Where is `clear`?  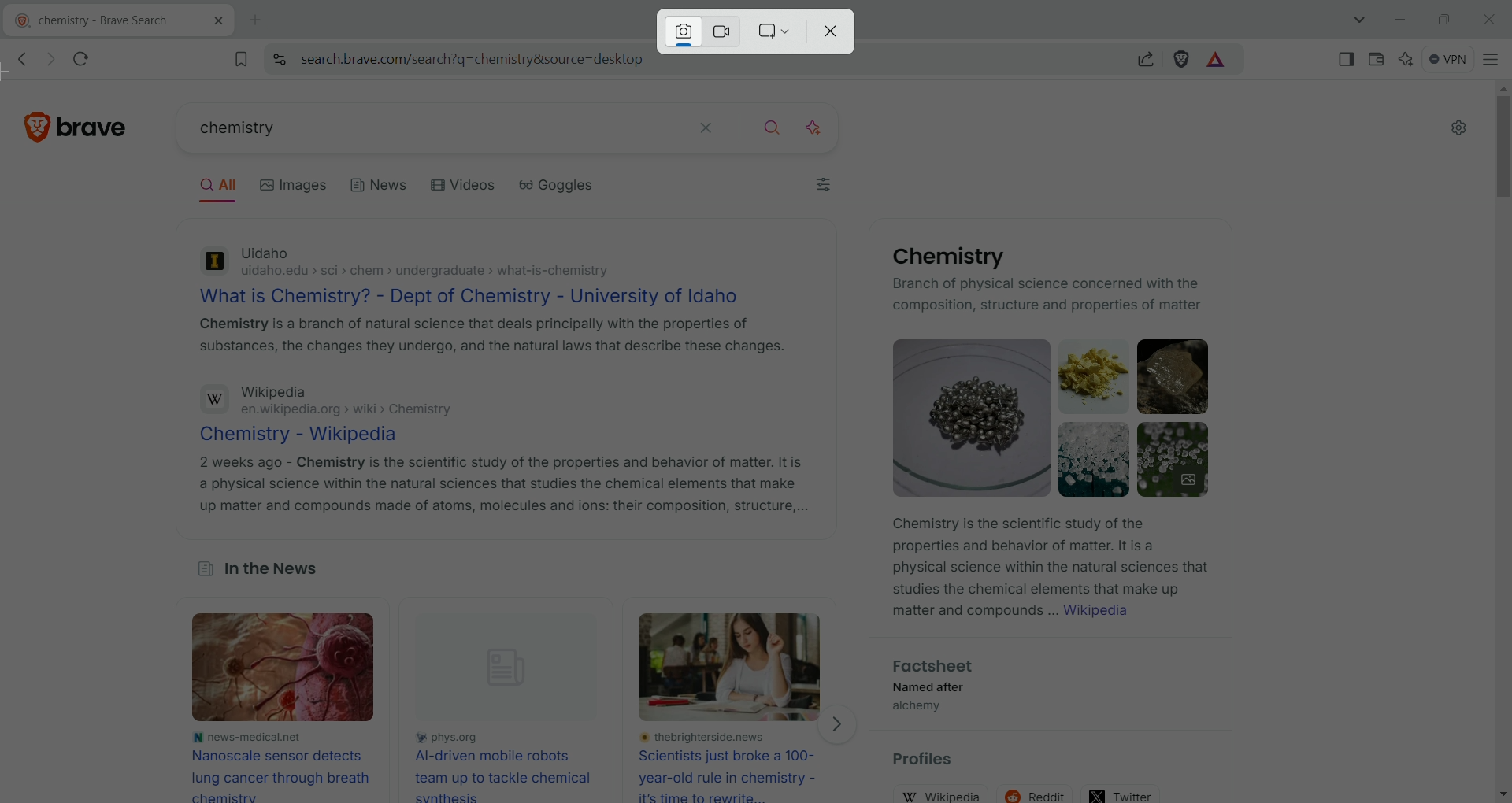 clear is located at coordinates (707, 126).